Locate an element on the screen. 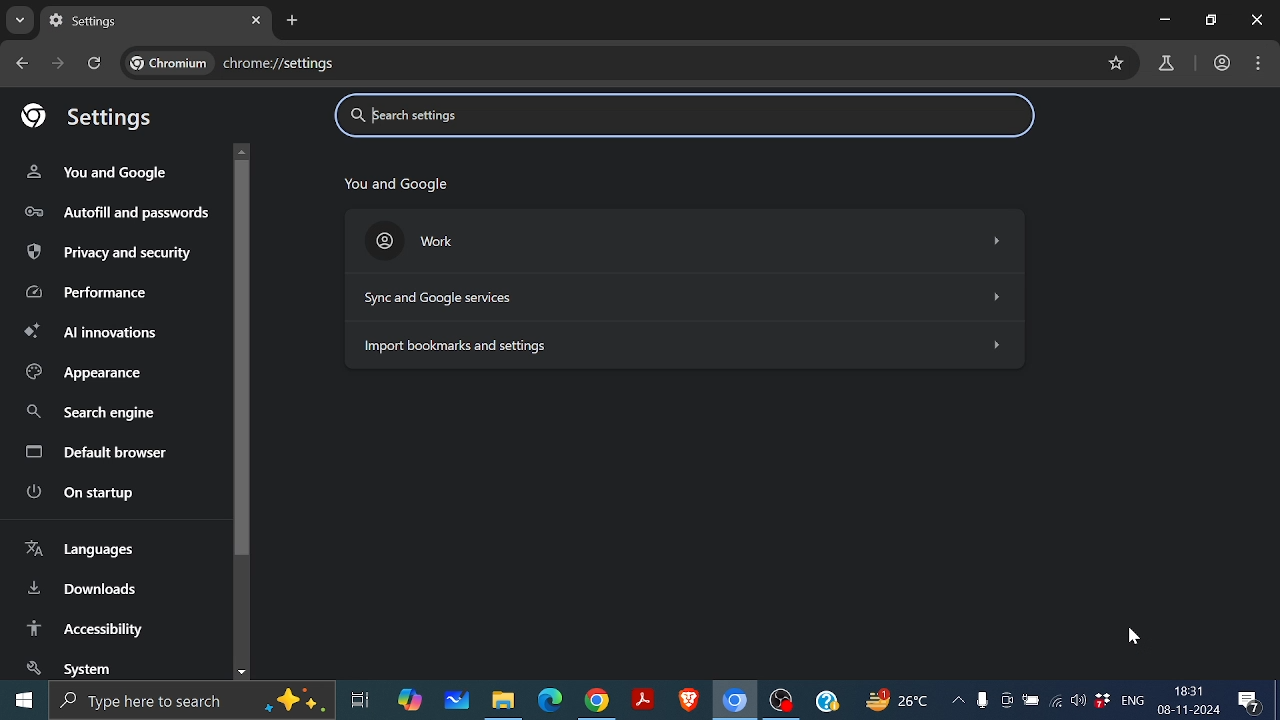 This screenshot has height=720, width=1280. Settings is located at coordinates (108, 117).